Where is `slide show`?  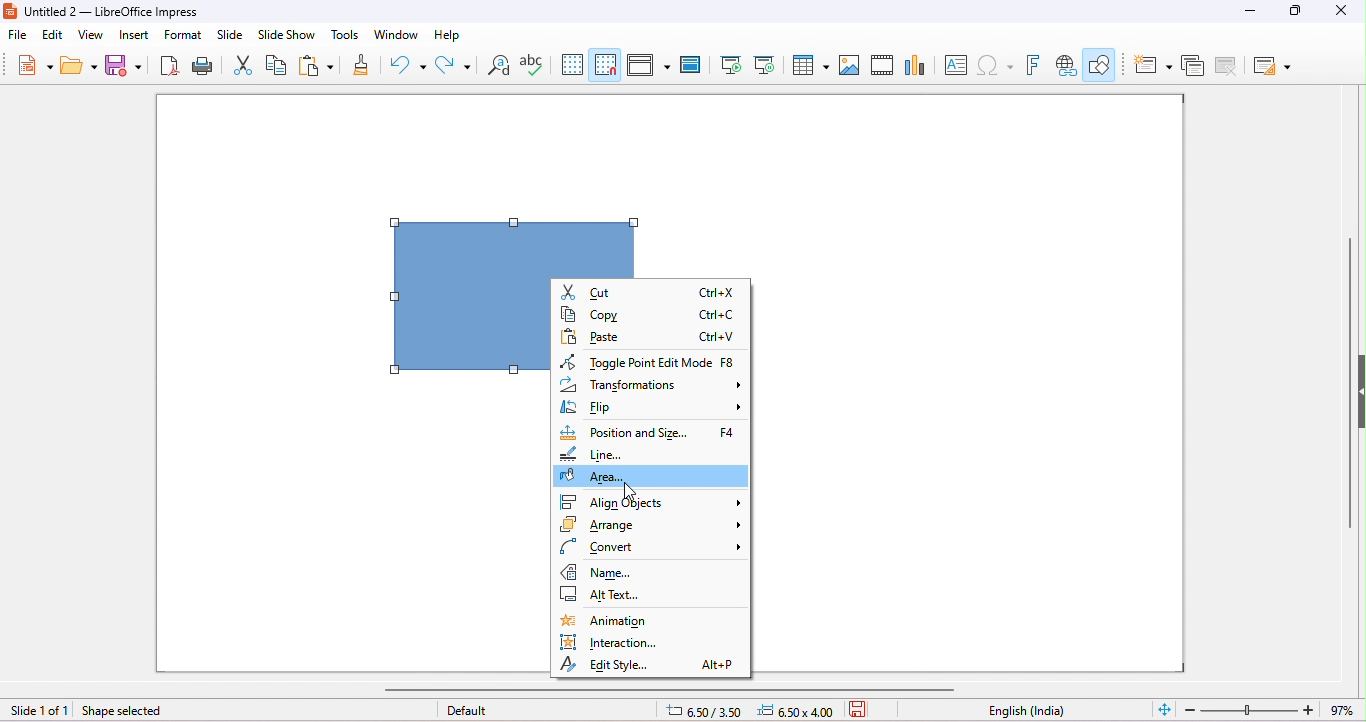 slide show is located at coordinates (285, 34).